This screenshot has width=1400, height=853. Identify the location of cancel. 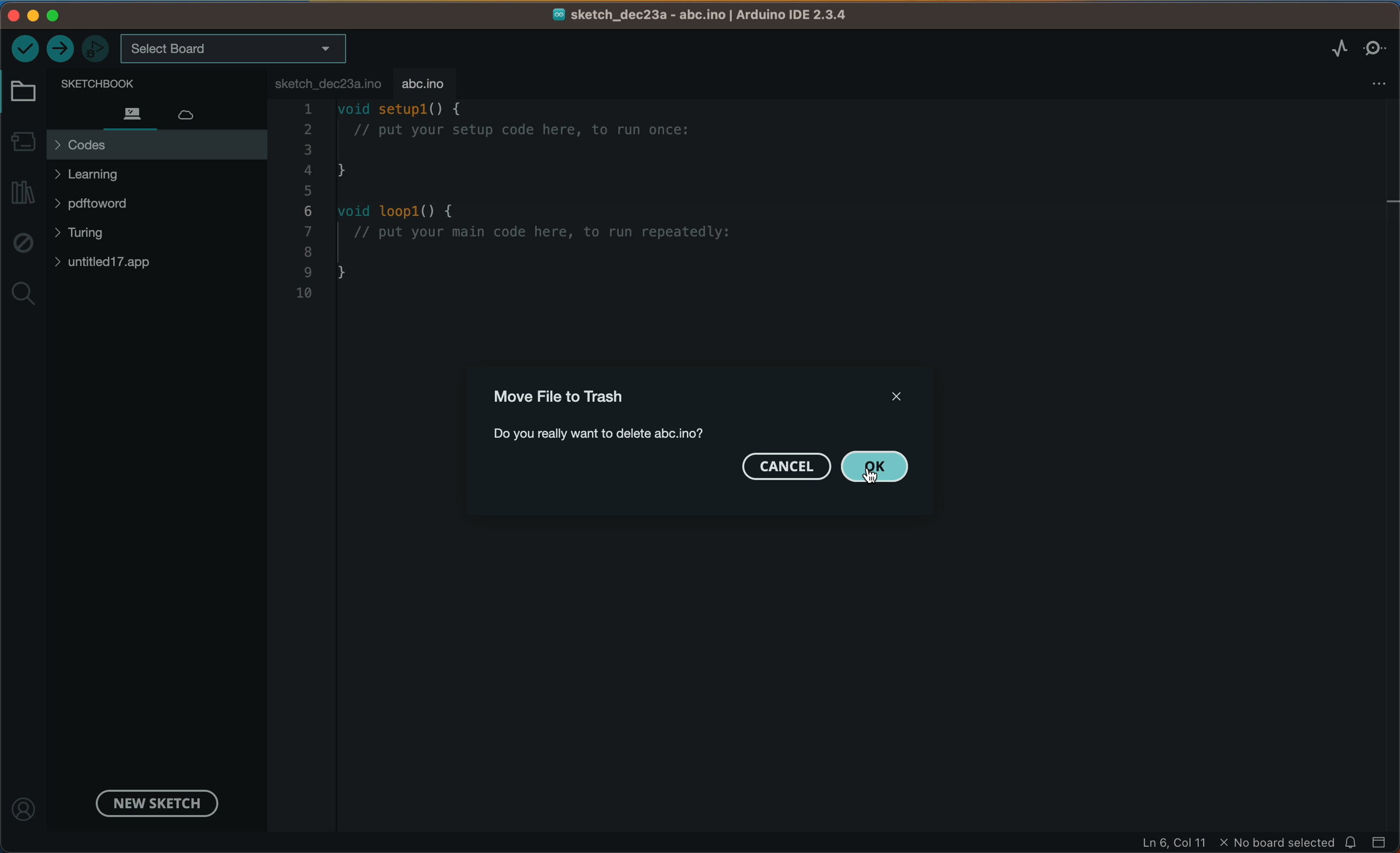
(784, 471).